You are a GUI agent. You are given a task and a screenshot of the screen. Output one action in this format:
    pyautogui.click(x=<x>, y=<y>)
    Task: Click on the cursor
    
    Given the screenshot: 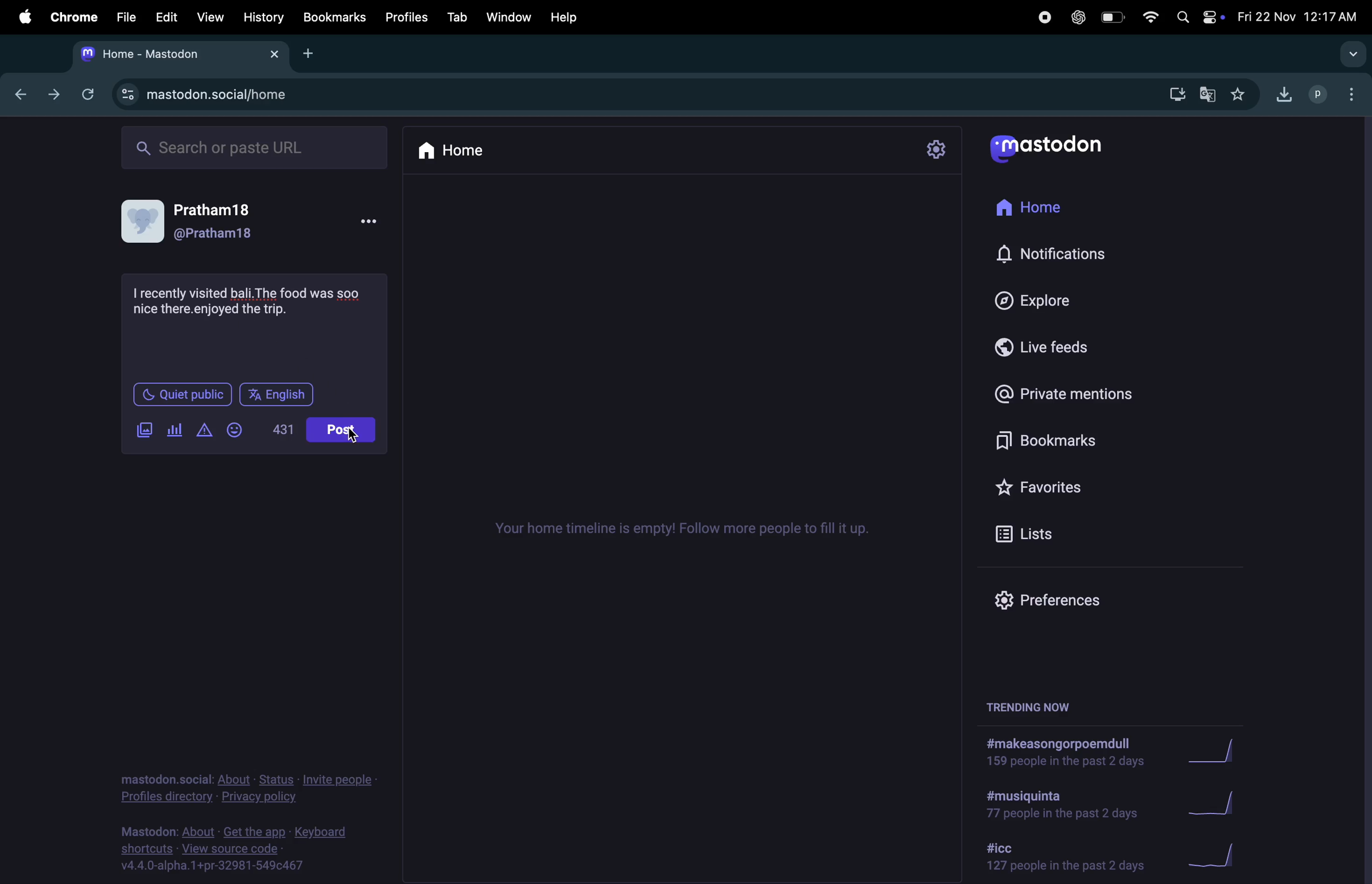 What is the action you would take?
    pyautogui.click(x=360, y=434)
    